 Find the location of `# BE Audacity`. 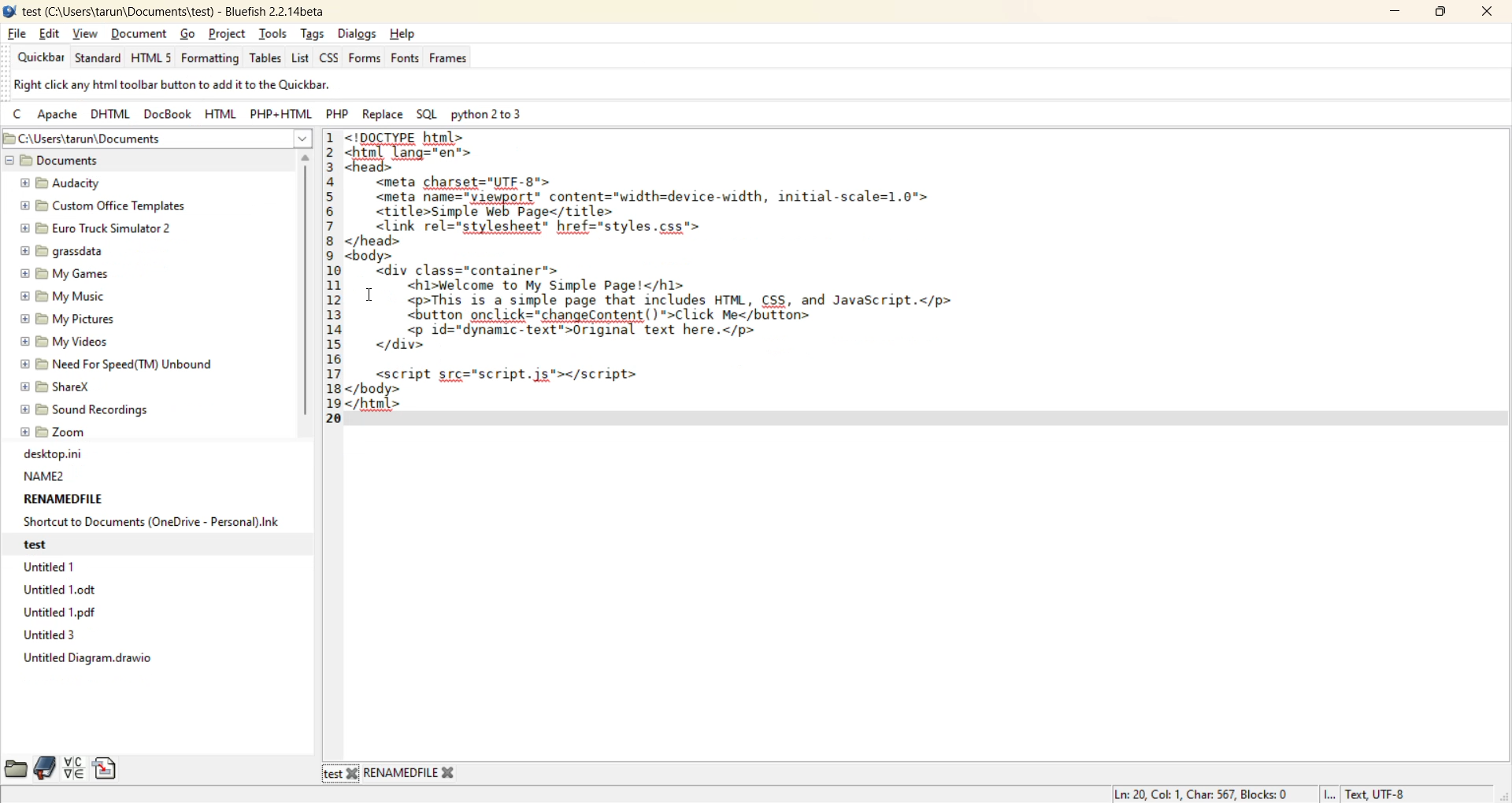

# BE Audacity is located at coordinates (67, 182).